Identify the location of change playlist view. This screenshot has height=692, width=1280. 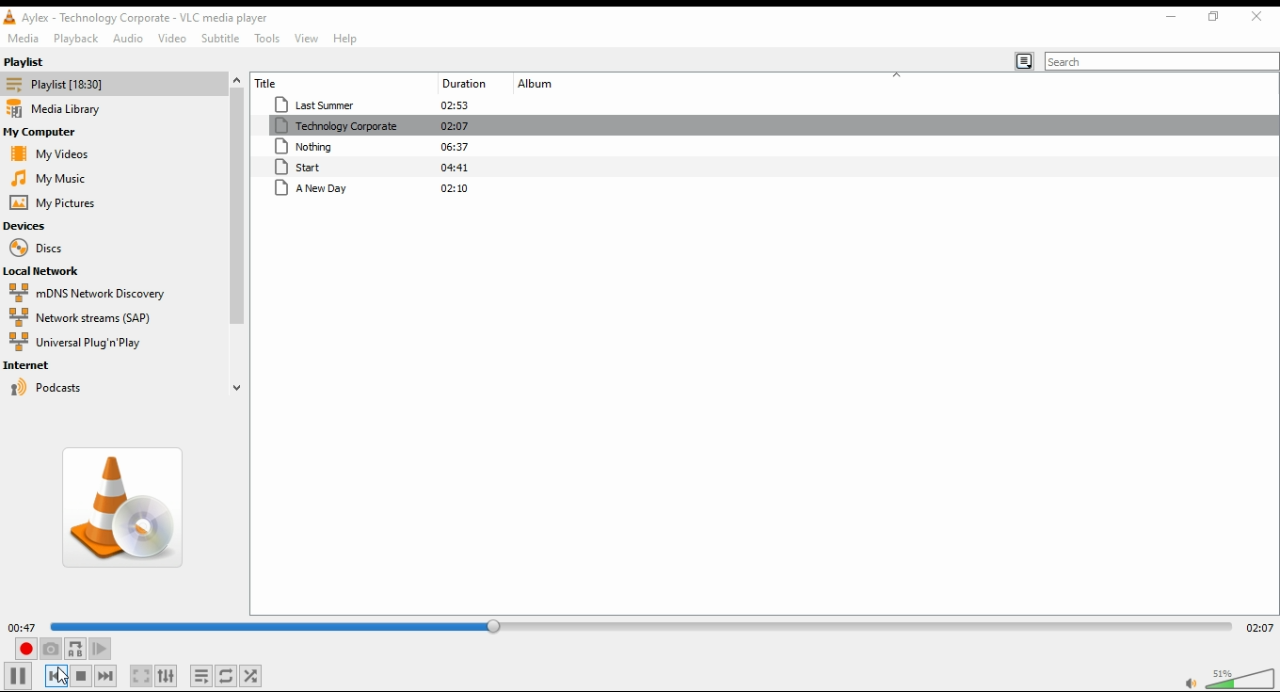
(1024, 62).